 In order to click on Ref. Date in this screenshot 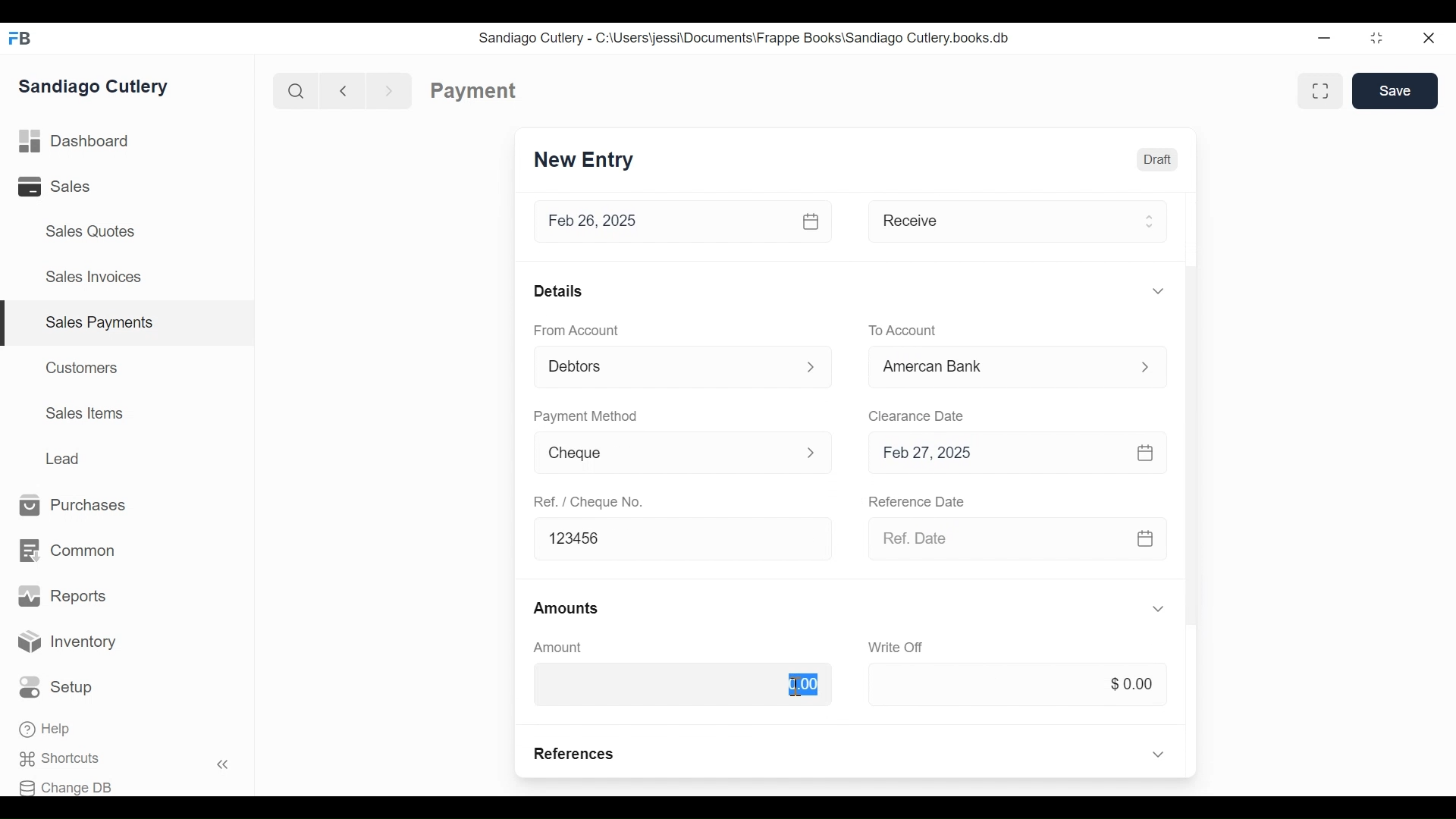, I will do `click(990, 538)`.